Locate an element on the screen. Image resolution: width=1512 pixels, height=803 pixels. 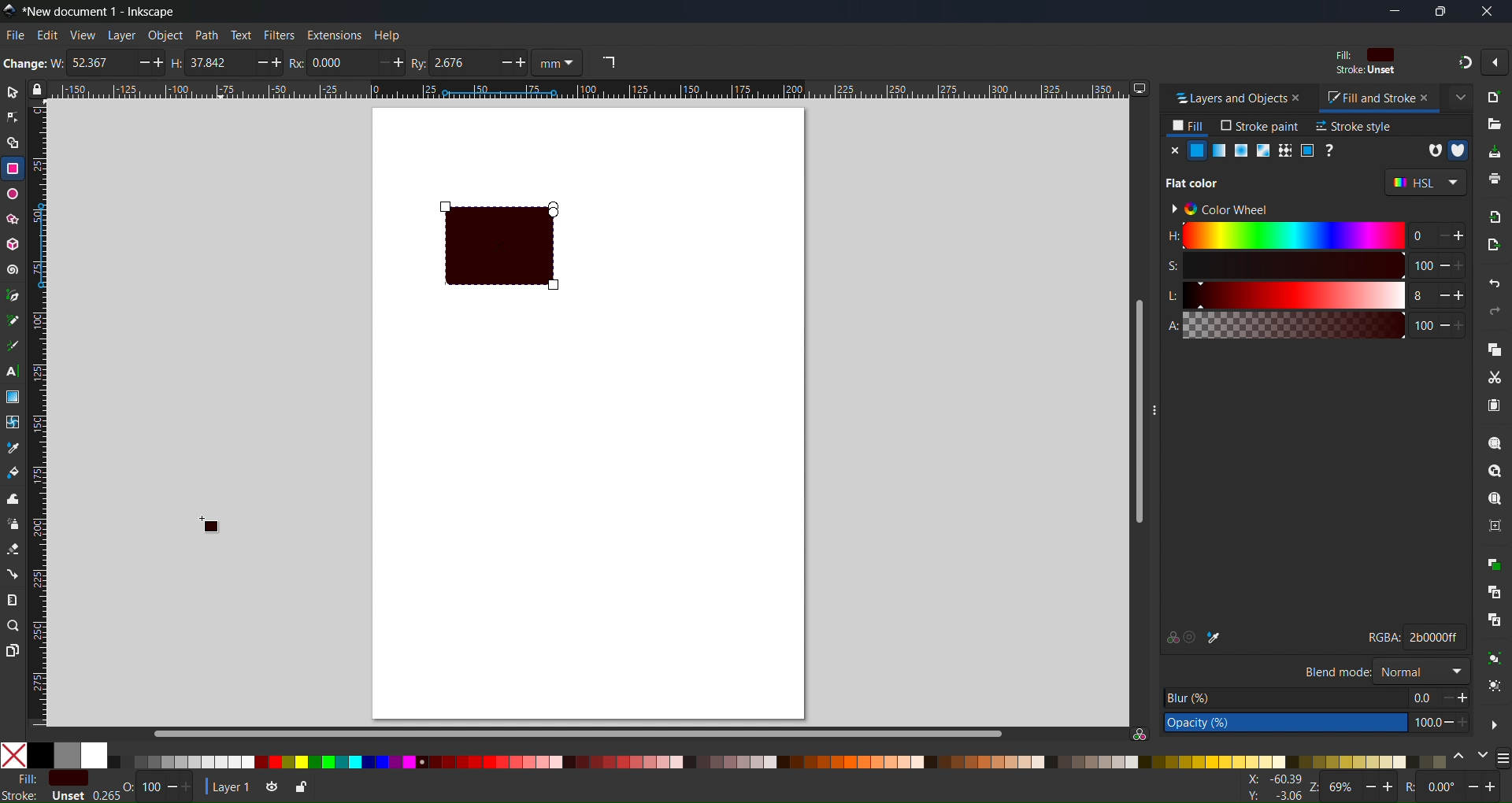
New is located at coordinates (1494, 95).